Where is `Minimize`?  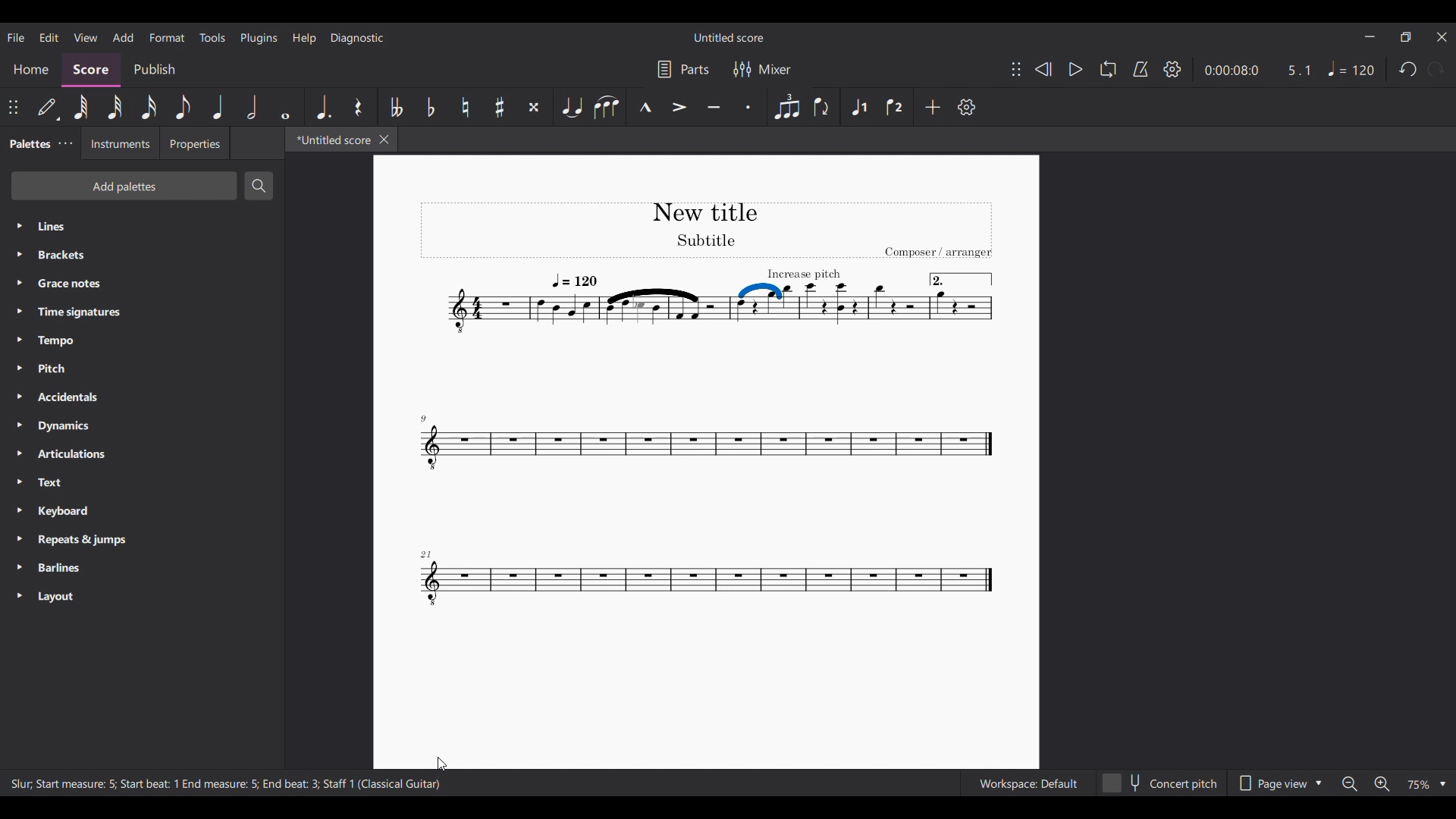
Minimize is located at coordinates (1370, 36).